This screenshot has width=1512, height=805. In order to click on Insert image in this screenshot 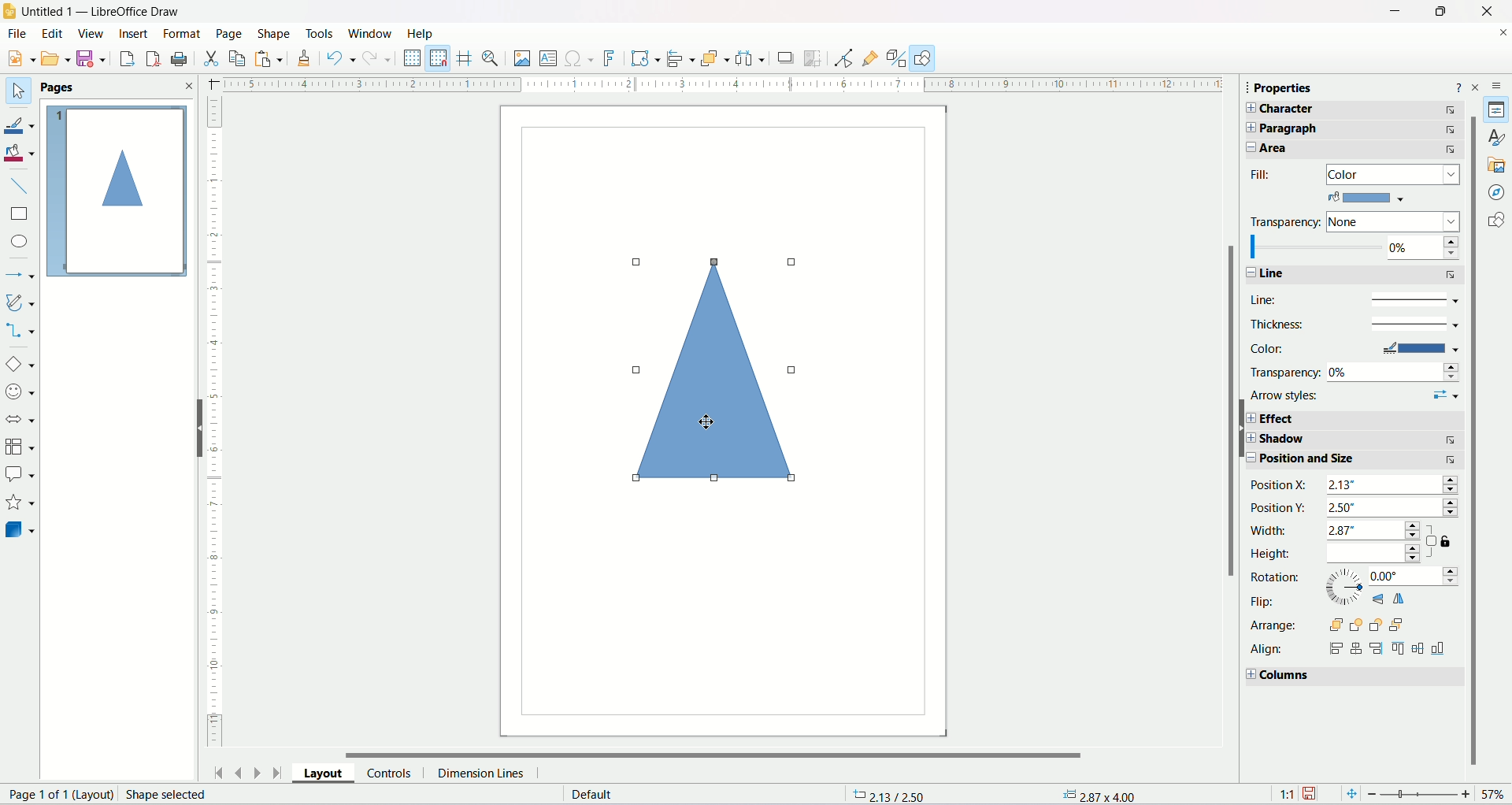, I will do `click(521, 57)`.